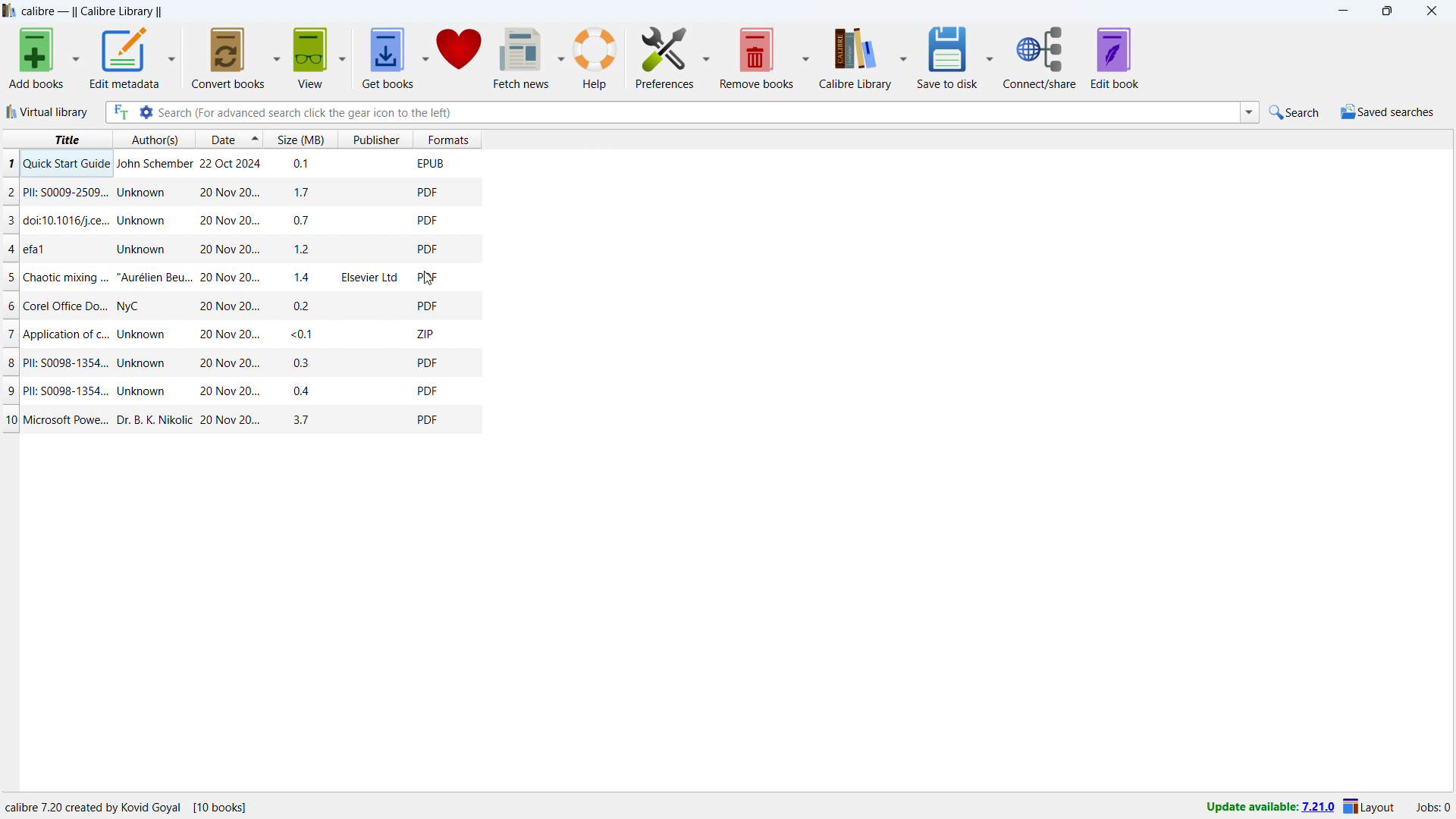  Describe the element at coordinates (146, 112) in the screenshot. I see `advanced search` at that location.